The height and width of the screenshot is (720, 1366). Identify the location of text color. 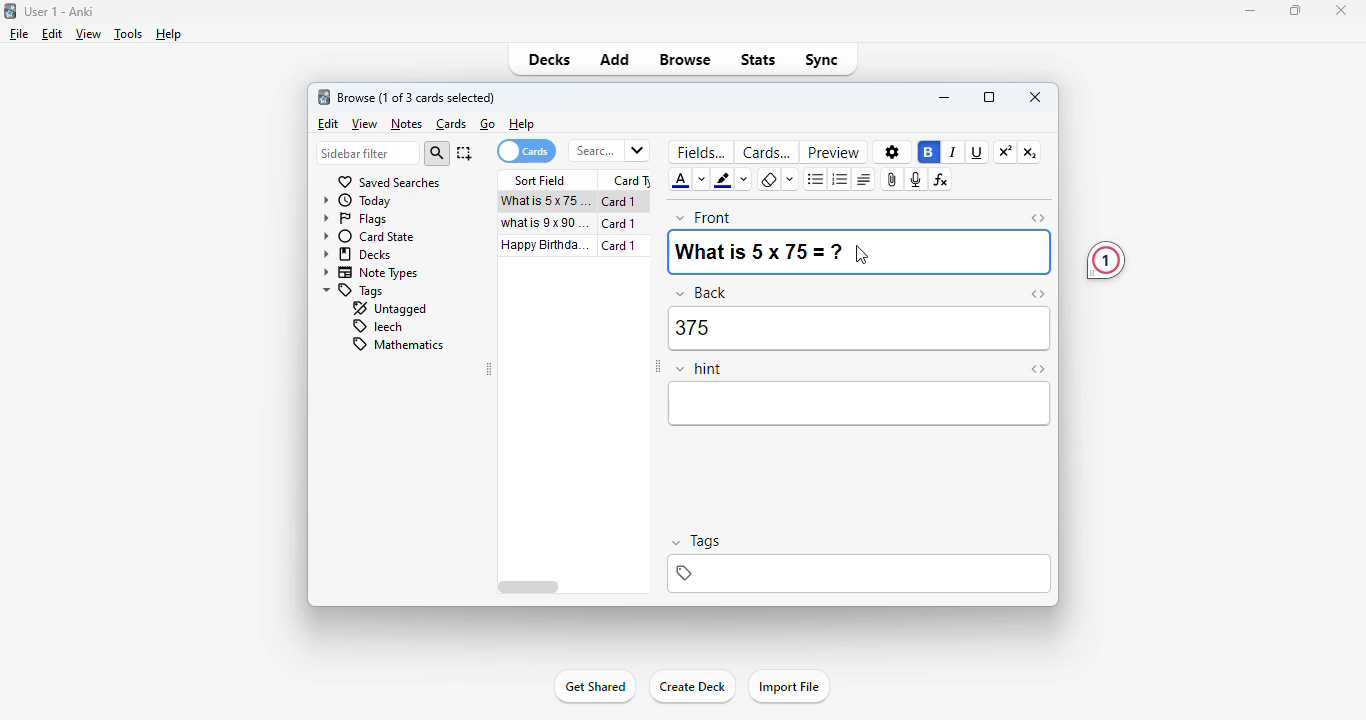
(680, 181).